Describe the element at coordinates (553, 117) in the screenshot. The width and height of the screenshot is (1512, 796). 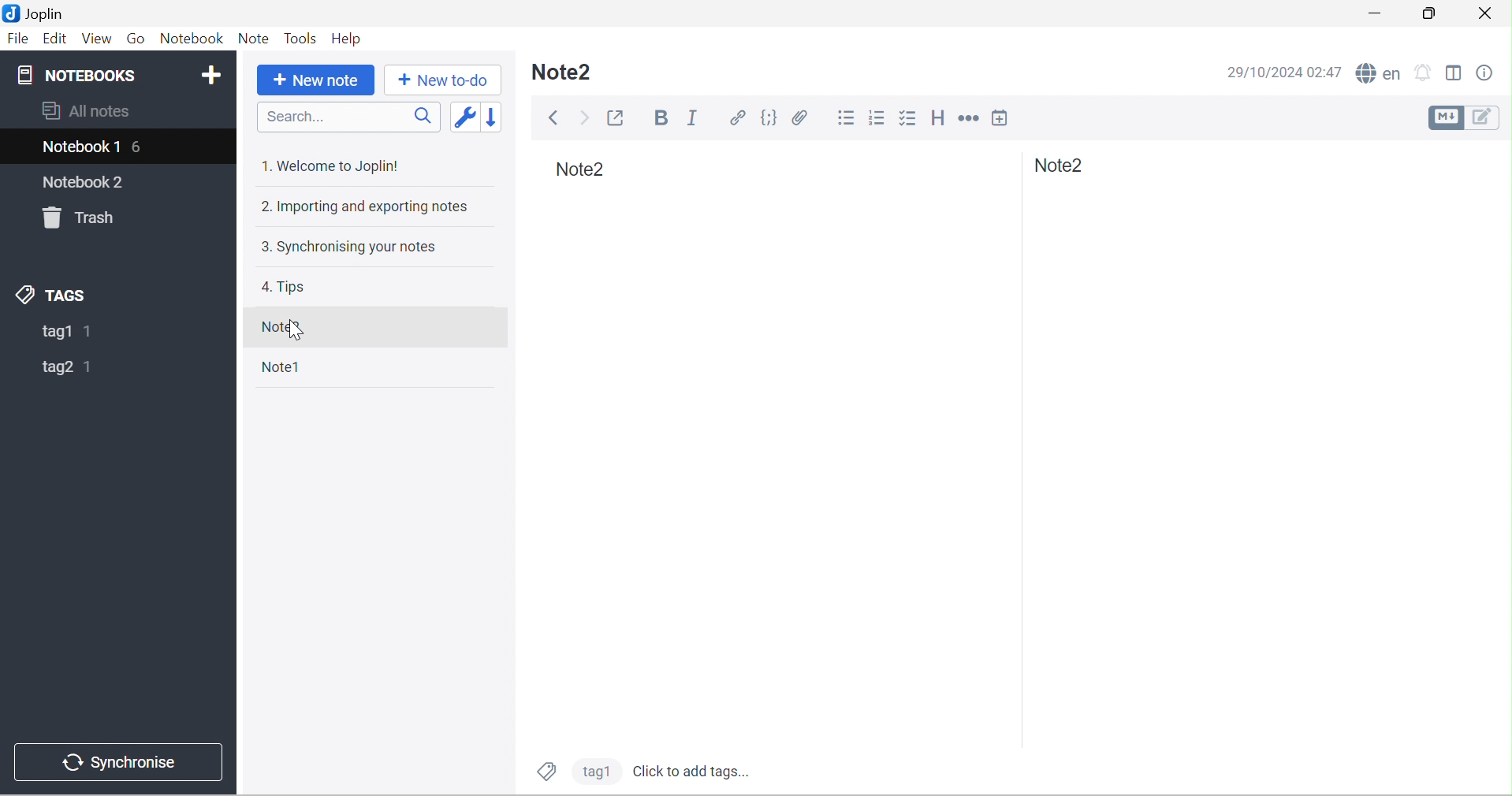
I see `Back` at that location.